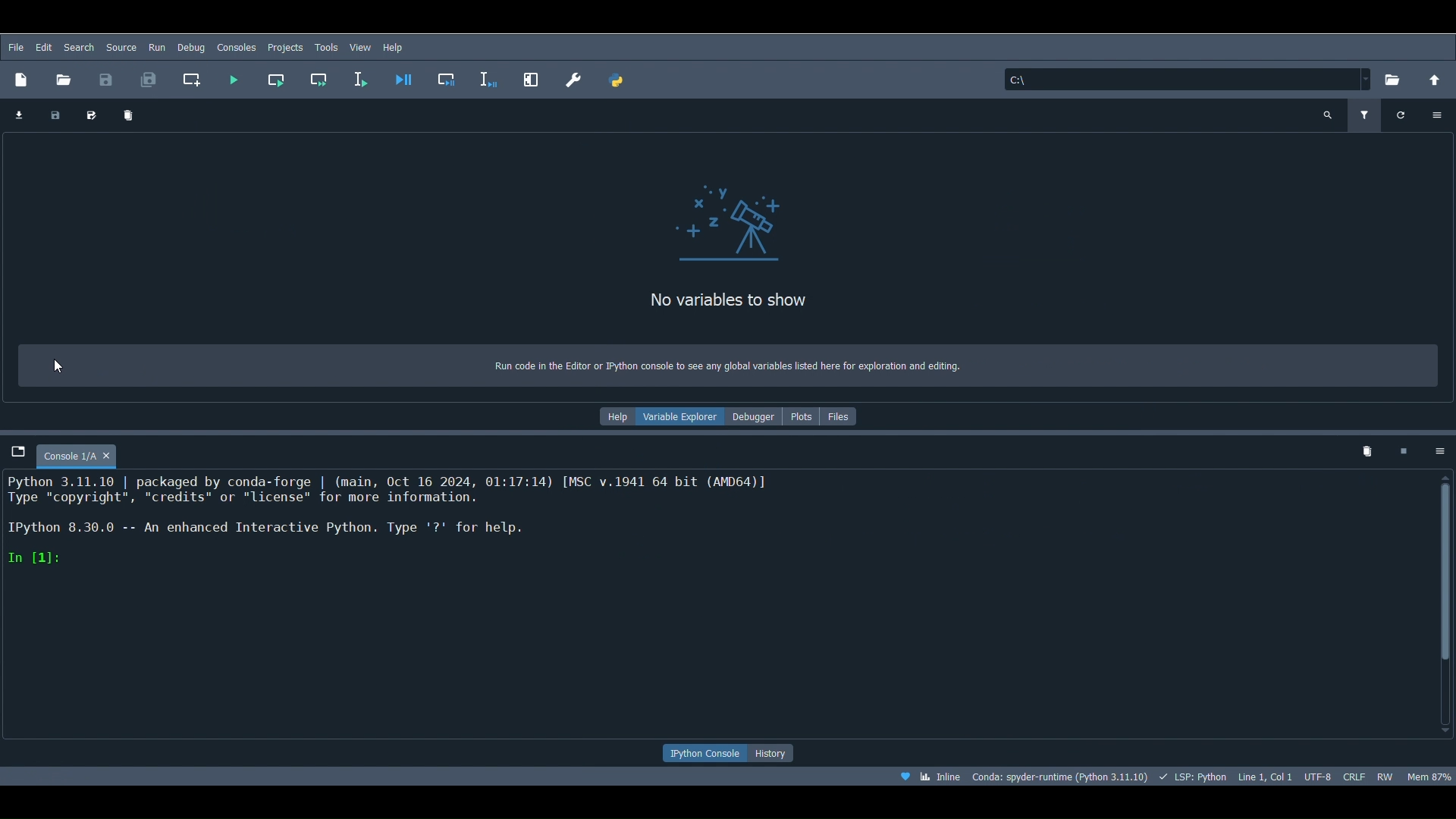 The width and height of the screenshot is (1456, 819). What do you see at coordinates (18, 452) in the screenshot?
I see `Browse tabs` at bounding box center [18, 452].